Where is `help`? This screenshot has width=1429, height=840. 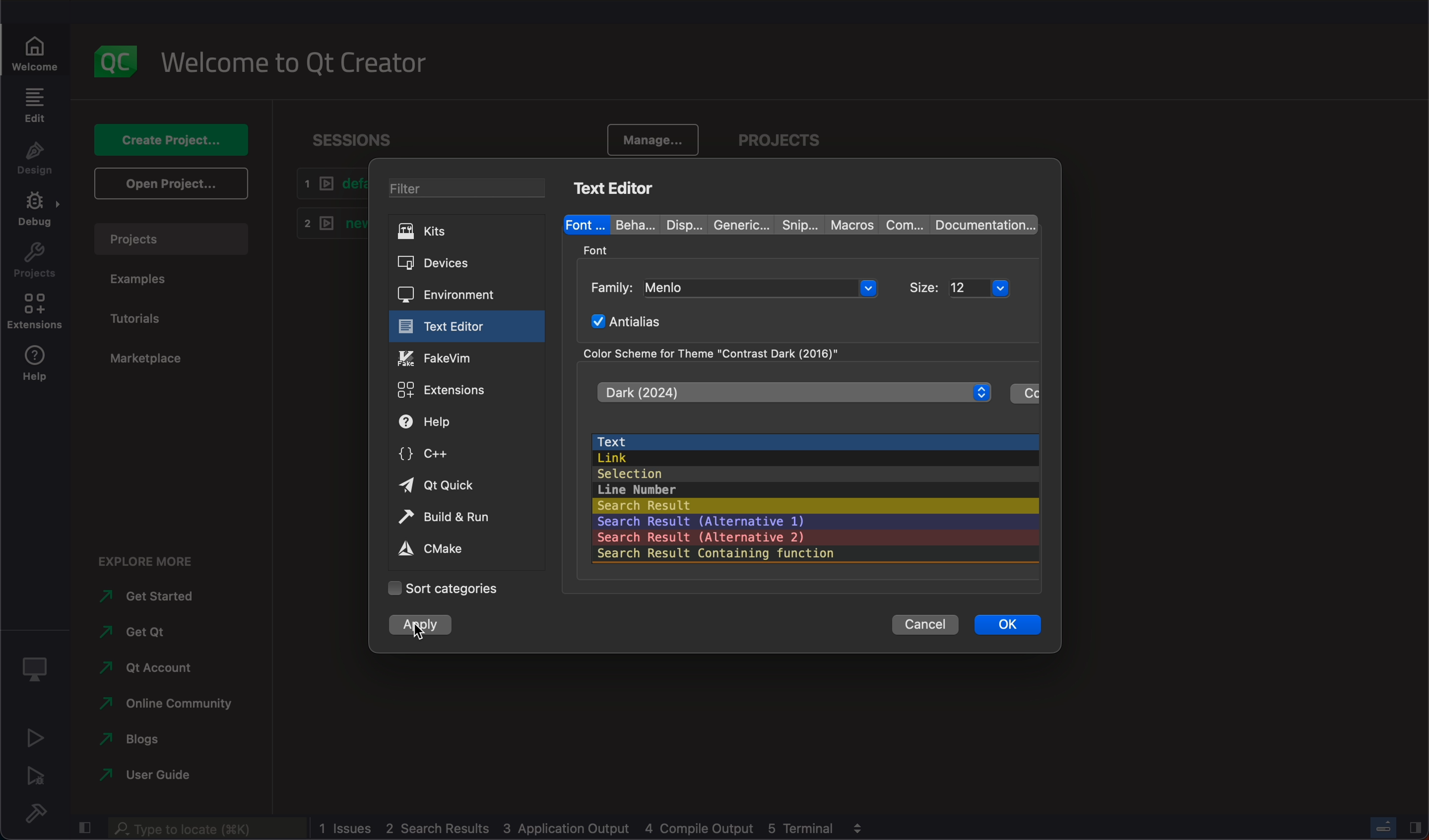 help is located at coordinates (39, 369).